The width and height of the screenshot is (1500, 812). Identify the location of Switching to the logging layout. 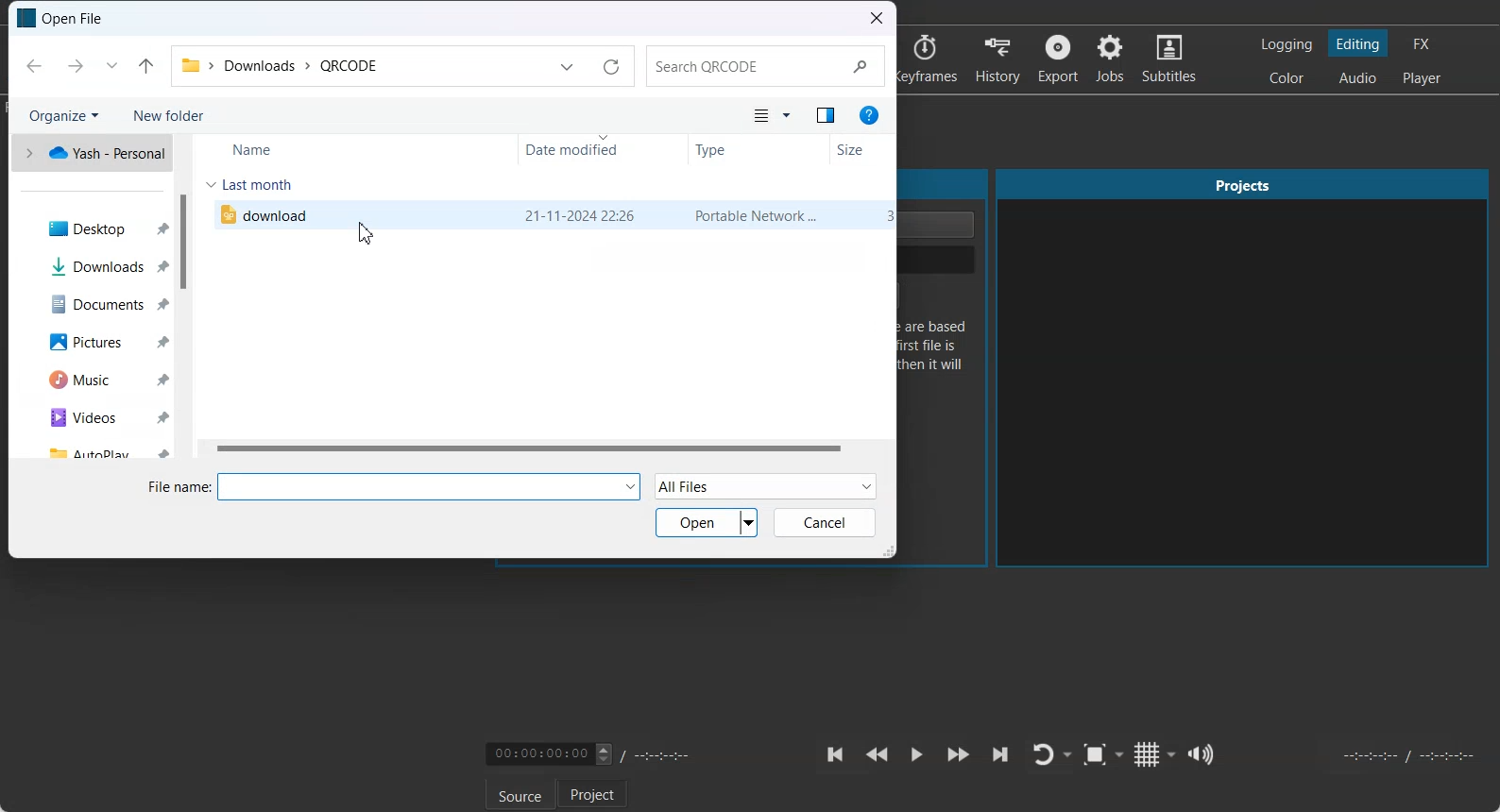
(1287, 44).